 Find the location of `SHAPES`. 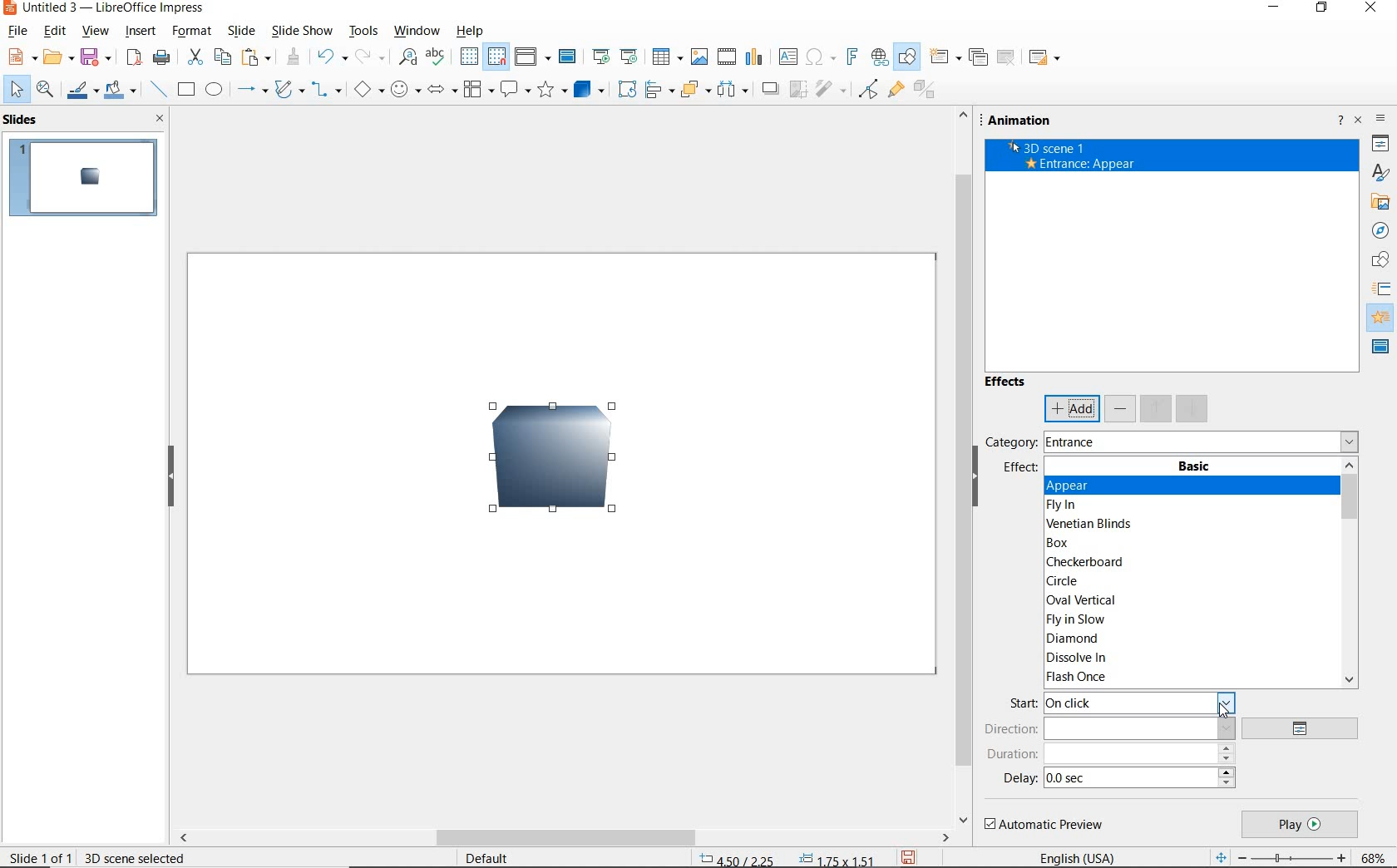

SHAPES is located at coordinates (1381, 261).